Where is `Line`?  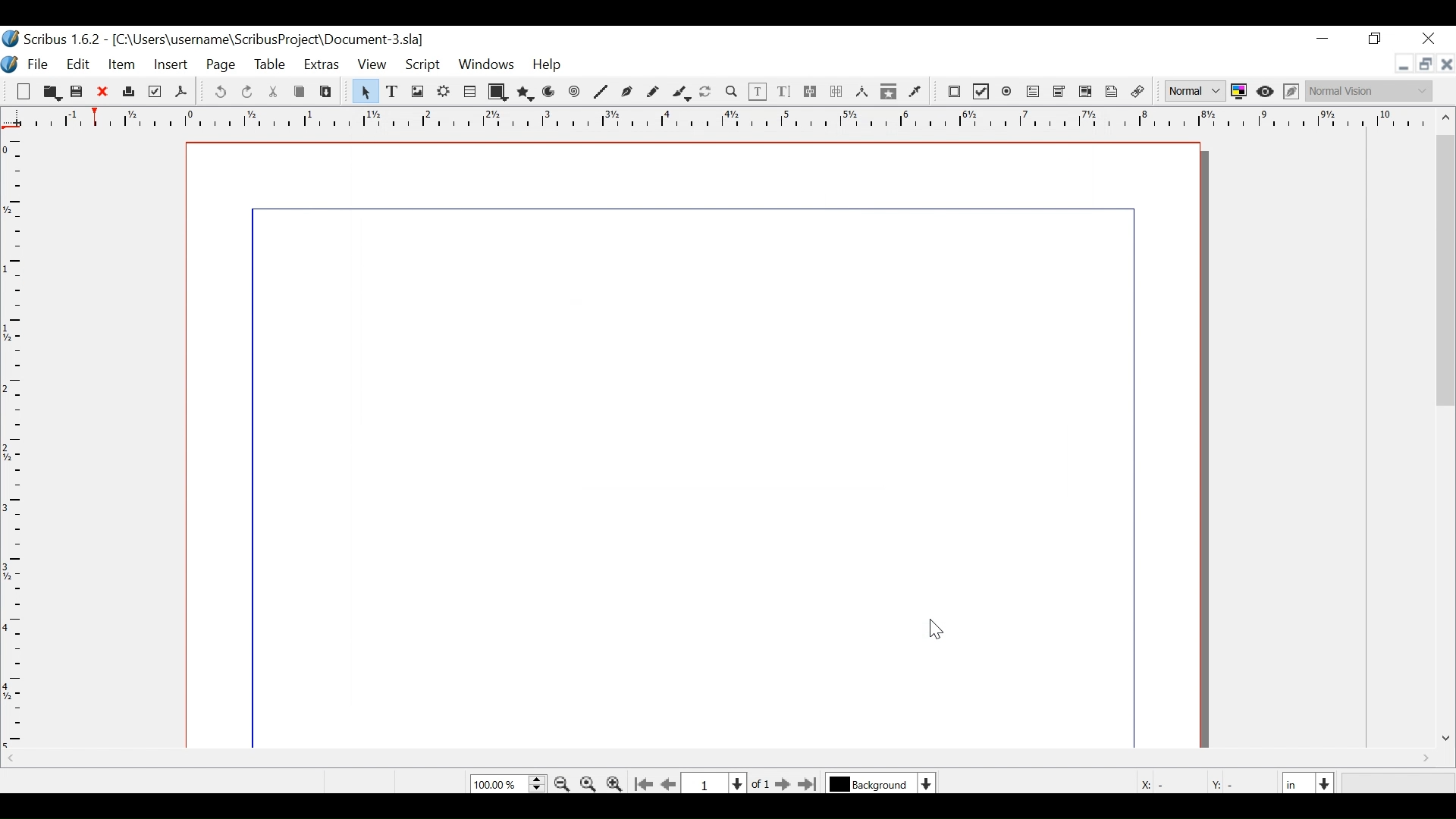 Line is located at coordinates (602, 93).